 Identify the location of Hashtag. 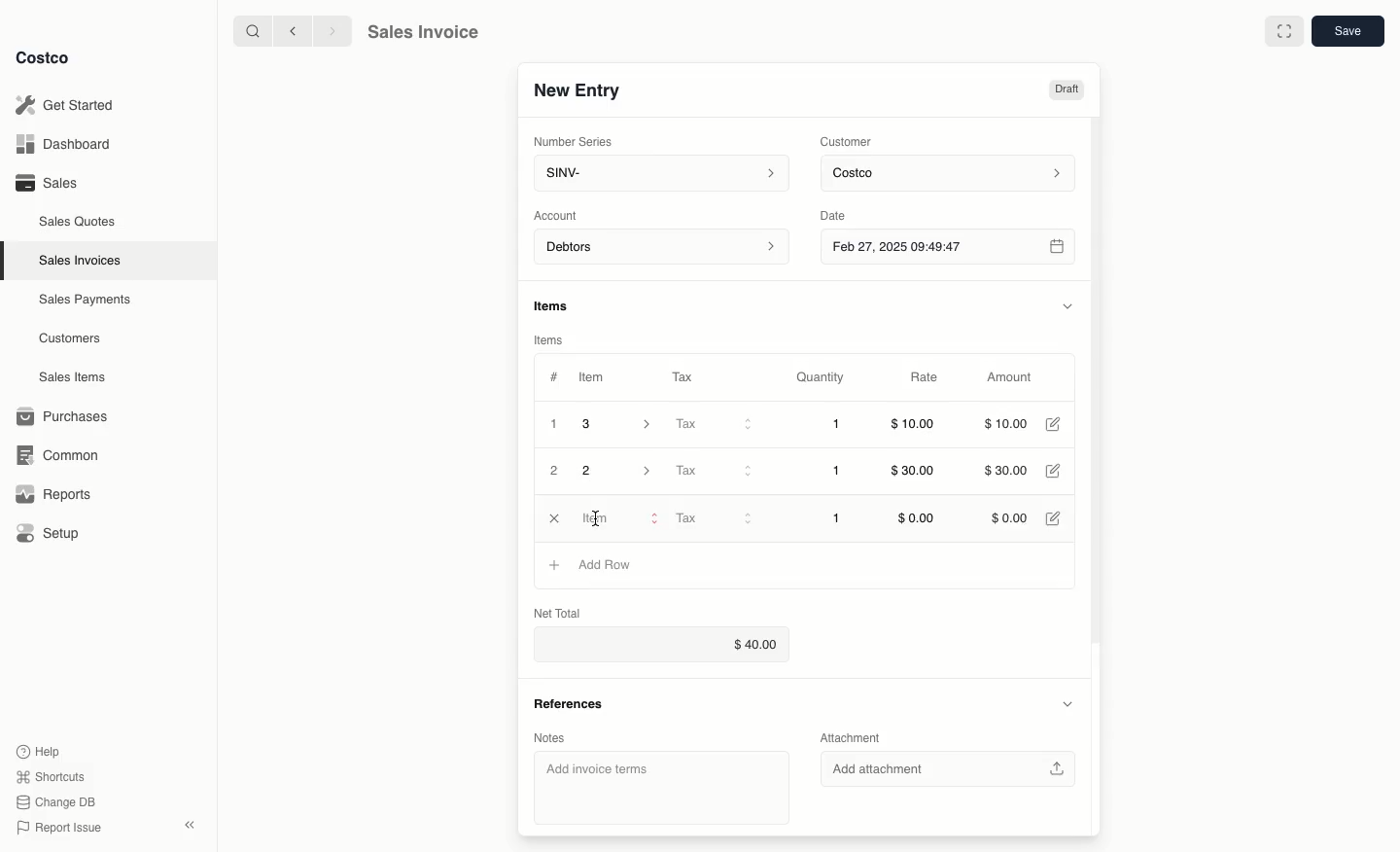
(553, 377).